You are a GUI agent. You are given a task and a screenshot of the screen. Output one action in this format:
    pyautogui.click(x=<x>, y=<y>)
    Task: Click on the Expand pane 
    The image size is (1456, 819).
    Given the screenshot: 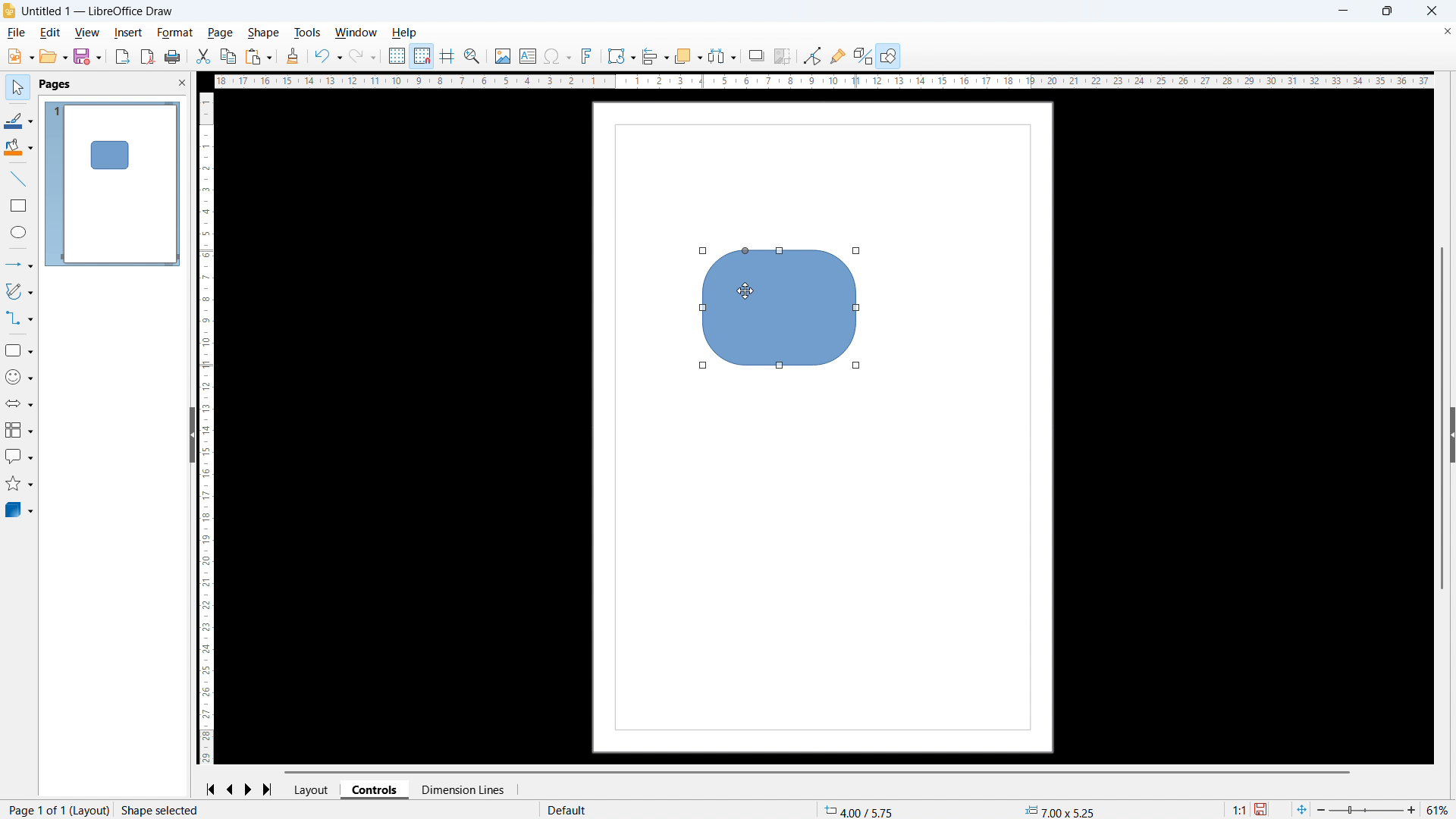 What is the action you would take?
    pyautogui.click(x=1453, y=434)
    